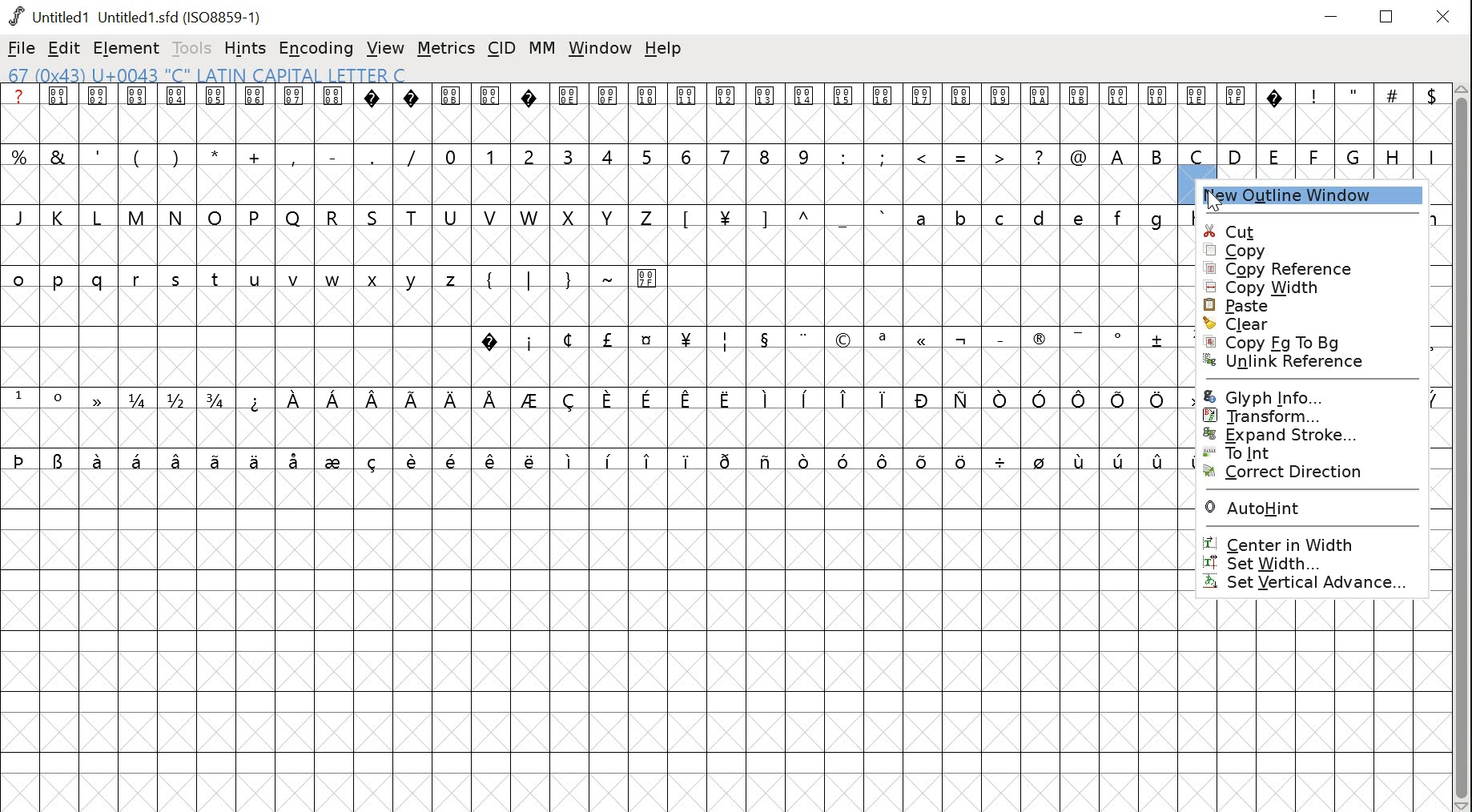 The width and height of the screenshot is (1472, 812). What do you see at coordinates (1312, 541) in the screenshot?
I see `center in width` at bounding box center [1312, 541].